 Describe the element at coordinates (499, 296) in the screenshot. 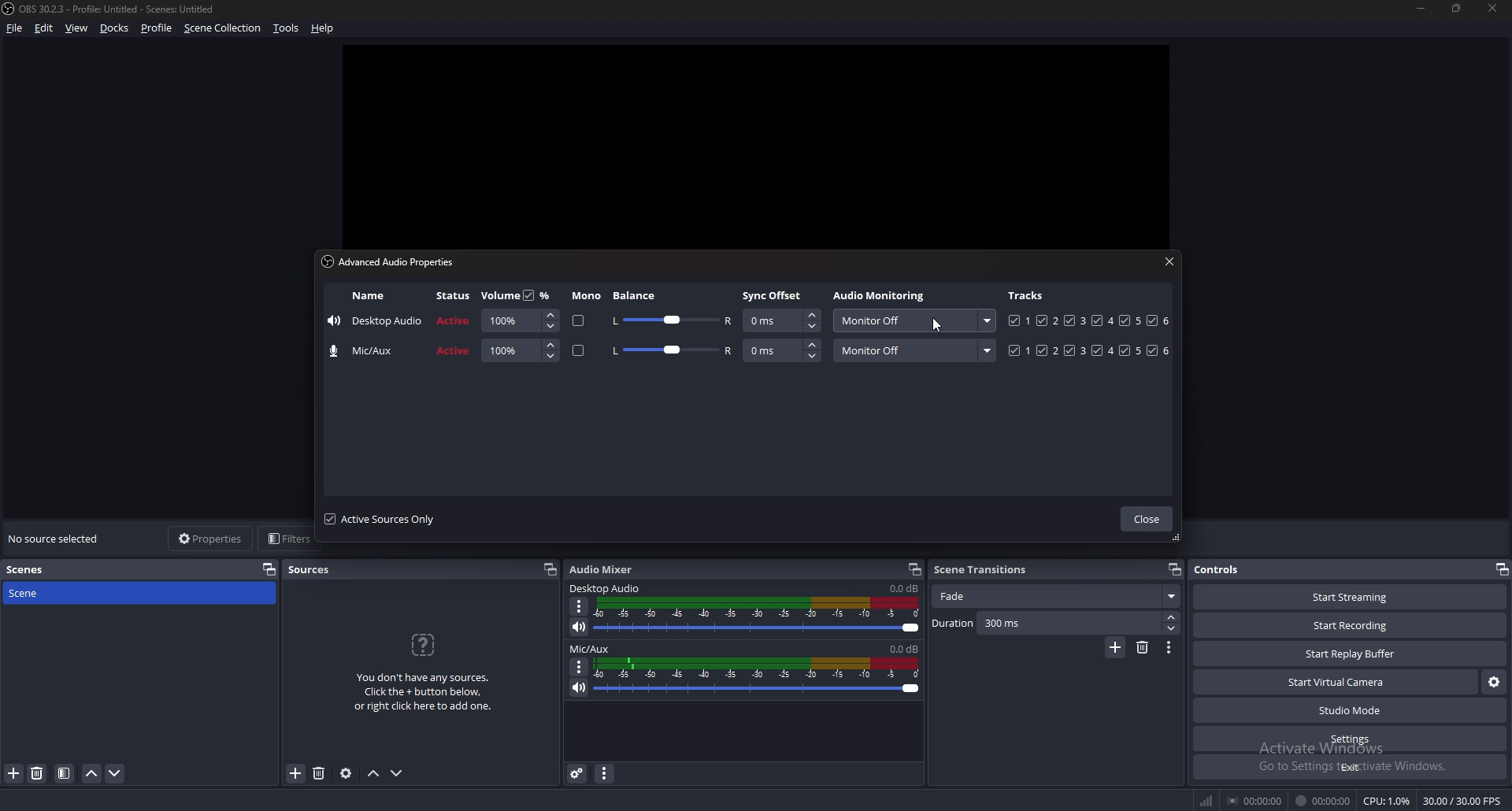

I see `volume` at that location.